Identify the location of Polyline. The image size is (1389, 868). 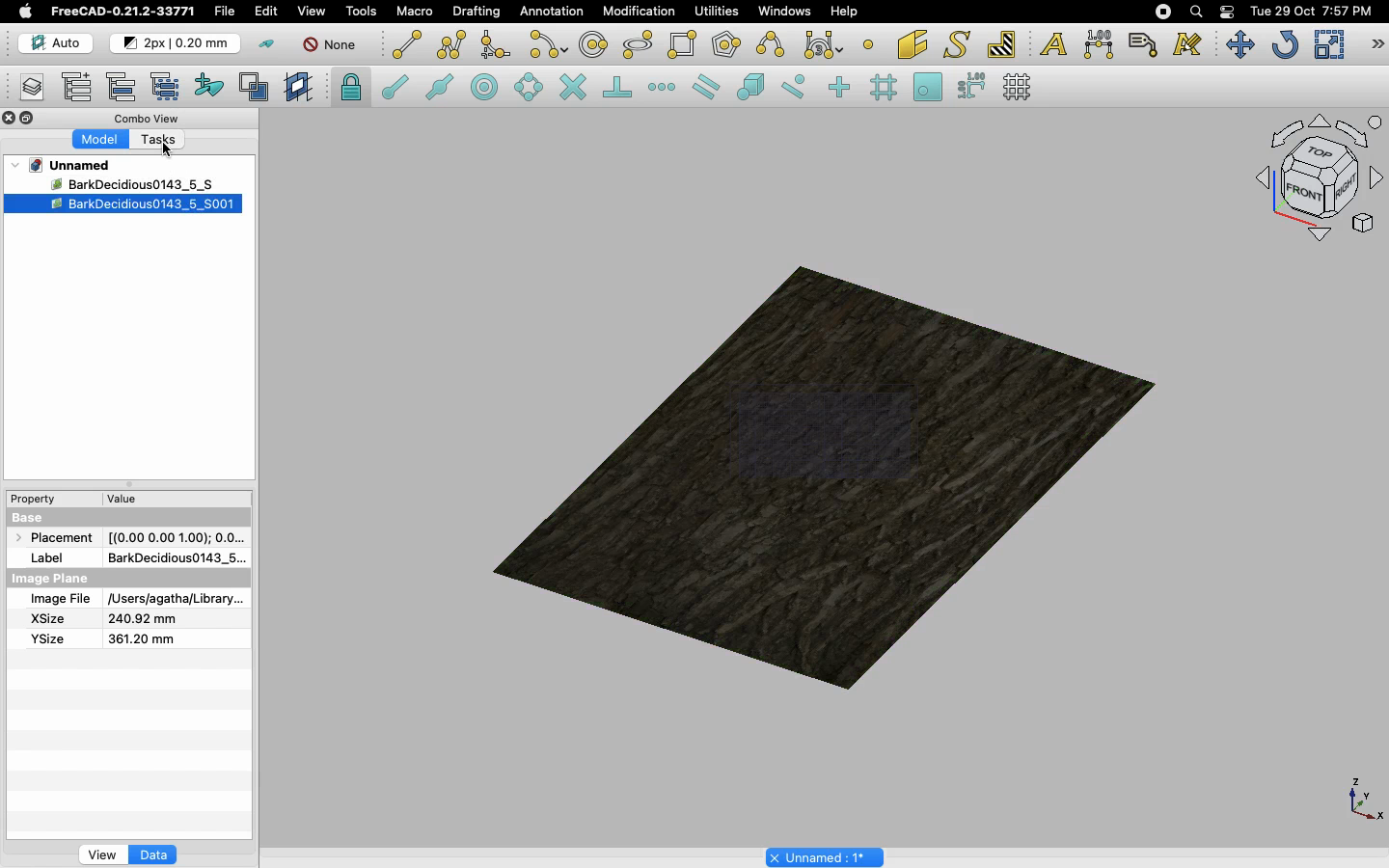
(451, 44).